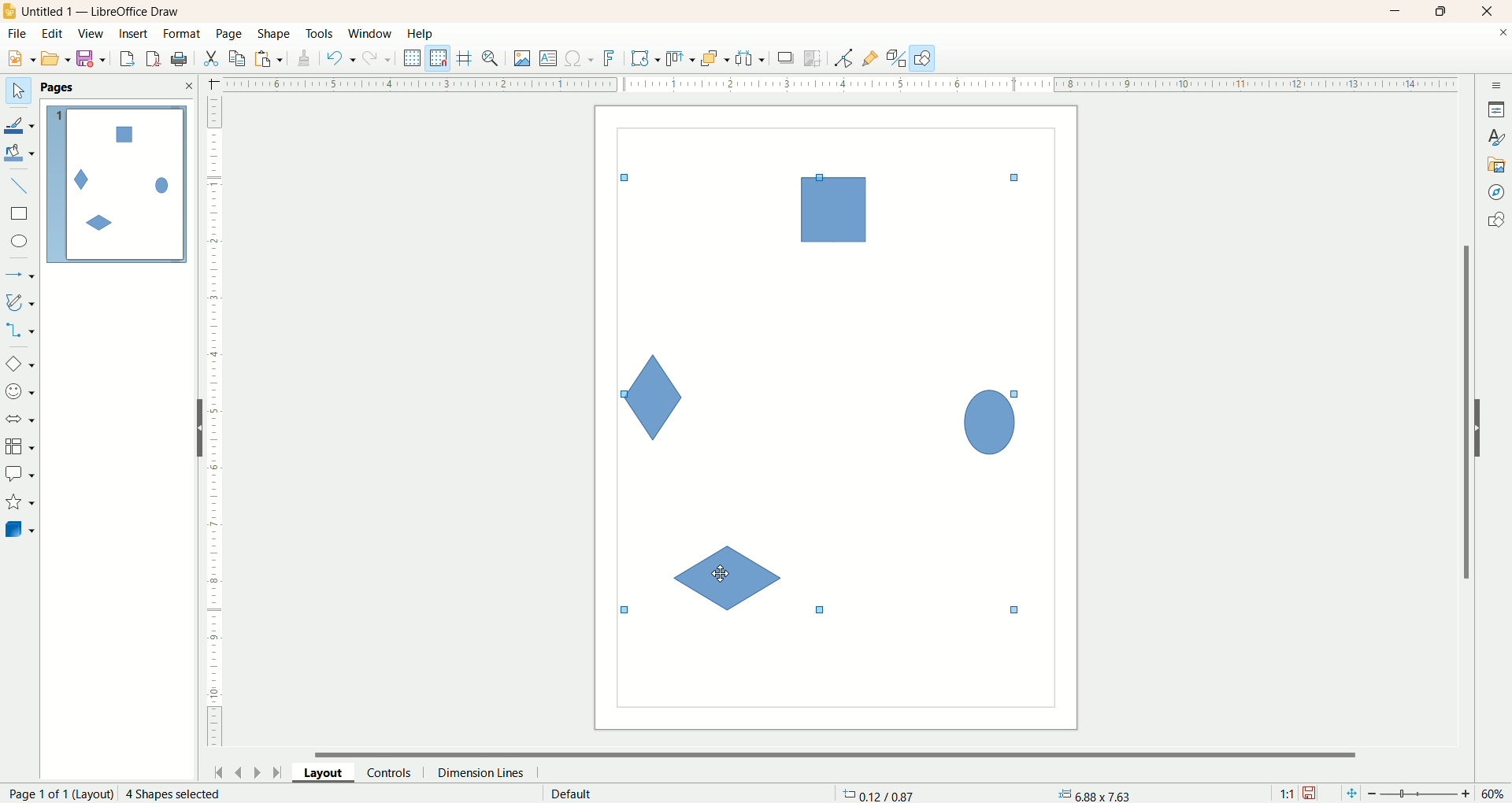 This screenshot has height=803, width=1512. What do you see at coordinates (321, 35) in the screenshot?
I see `tools` at bounding box center [321, 35].